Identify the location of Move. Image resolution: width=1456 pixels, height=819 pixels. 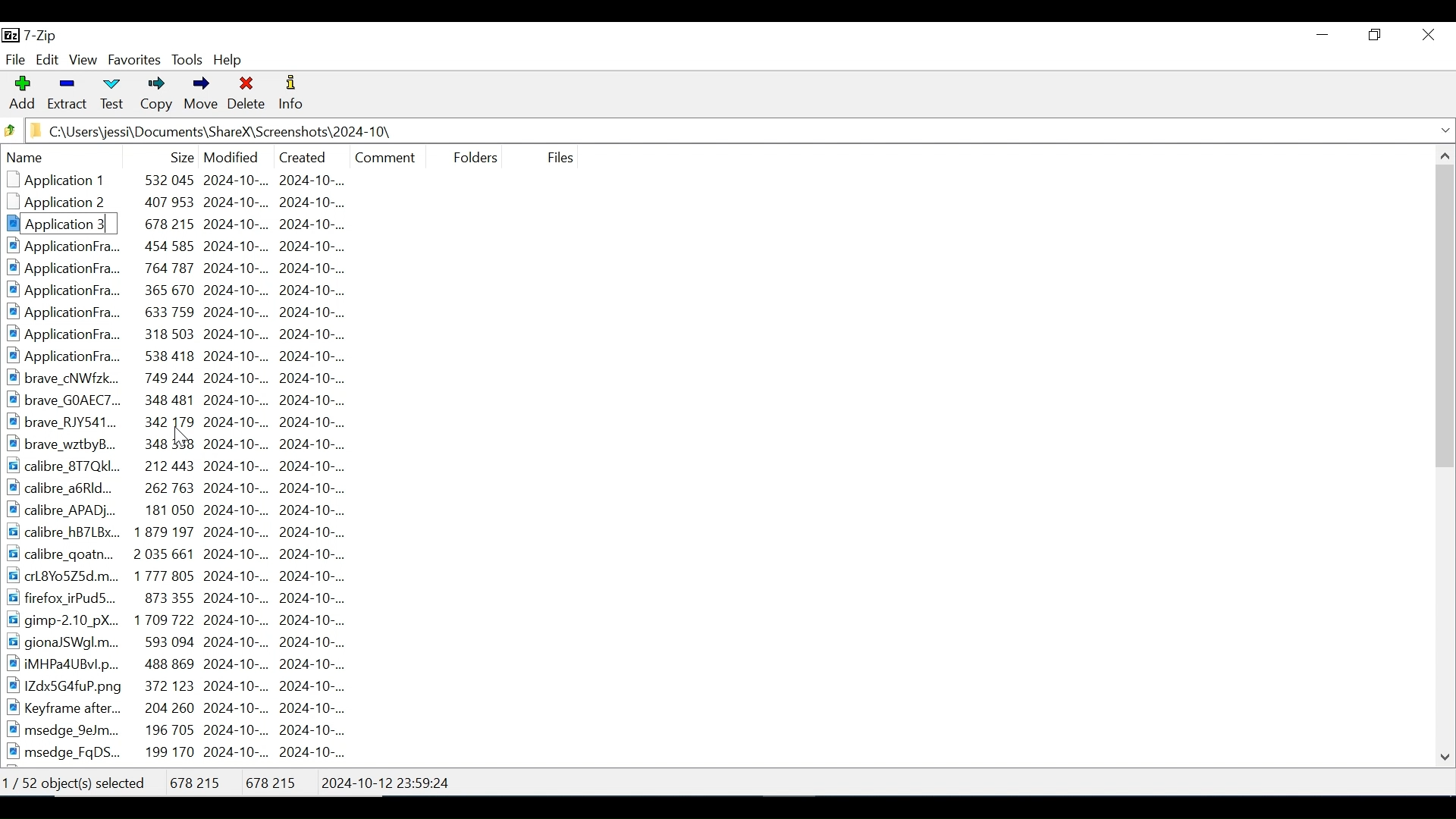
(199, 96).